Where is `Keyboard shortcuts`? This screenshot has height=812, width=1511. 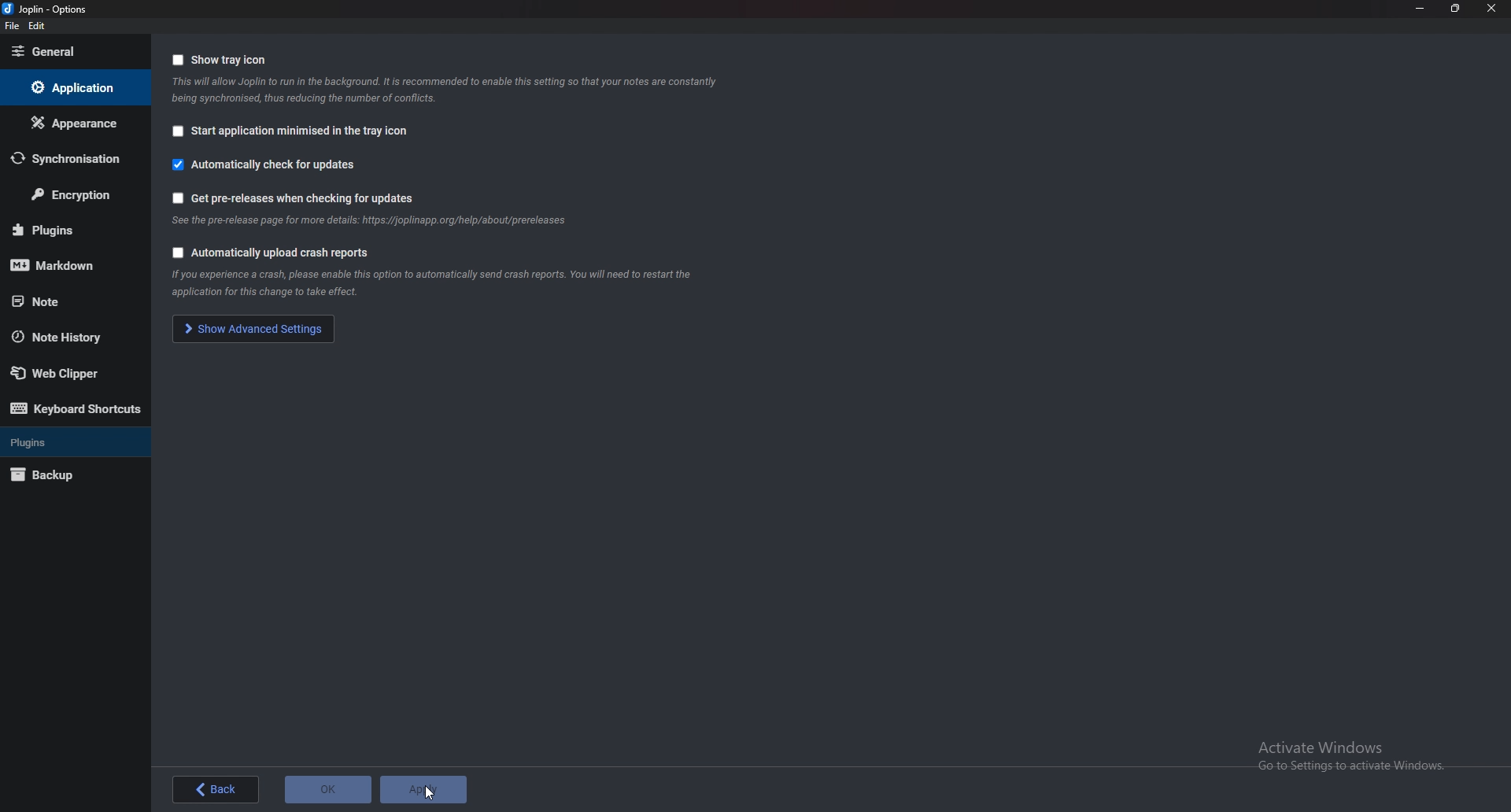 Keyboard shortcuts is located at coordinates (75, 411).